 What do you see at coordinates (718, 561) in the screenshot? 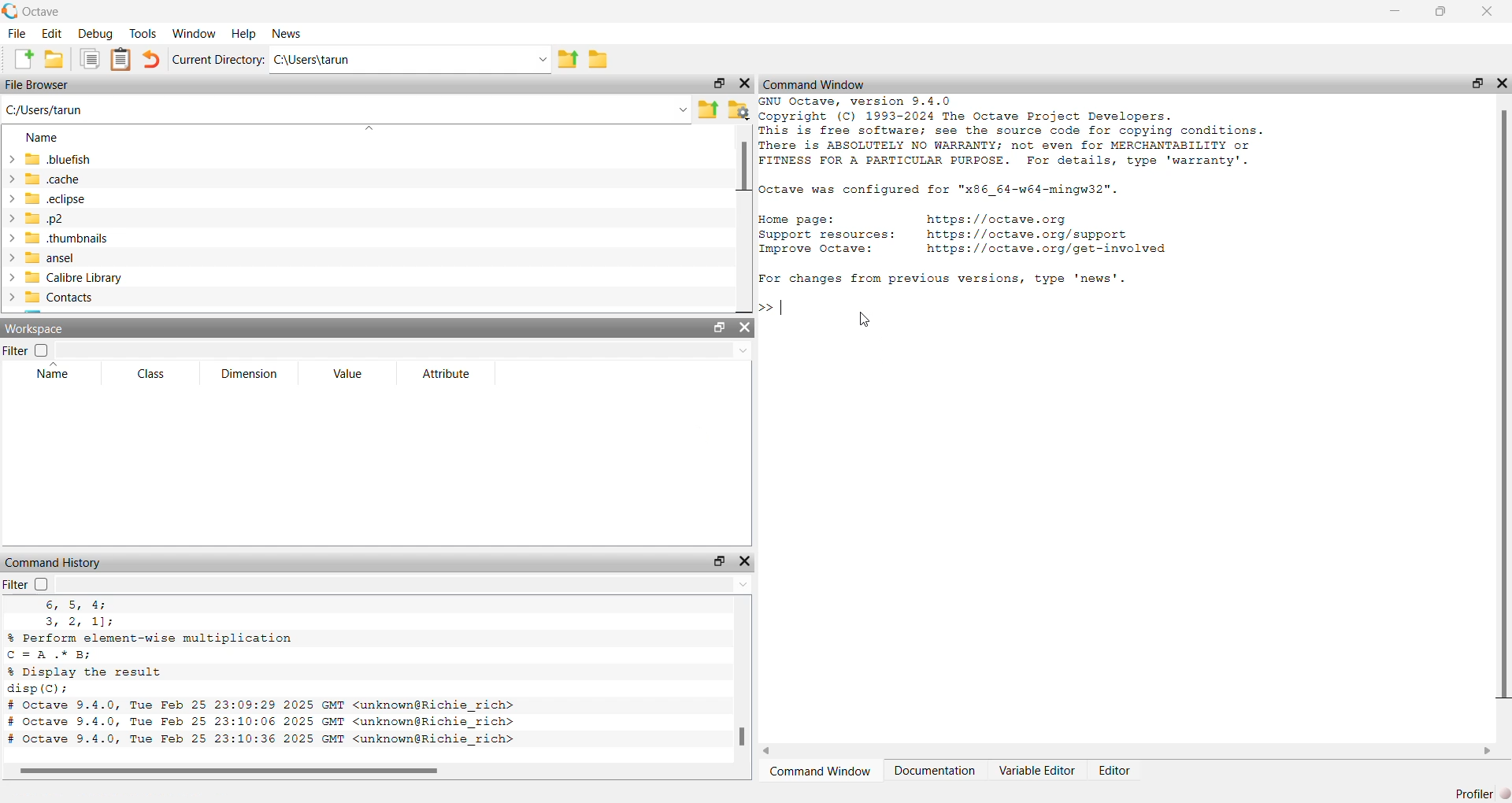
I see `Restore Down` at bounding box center [718, 561].